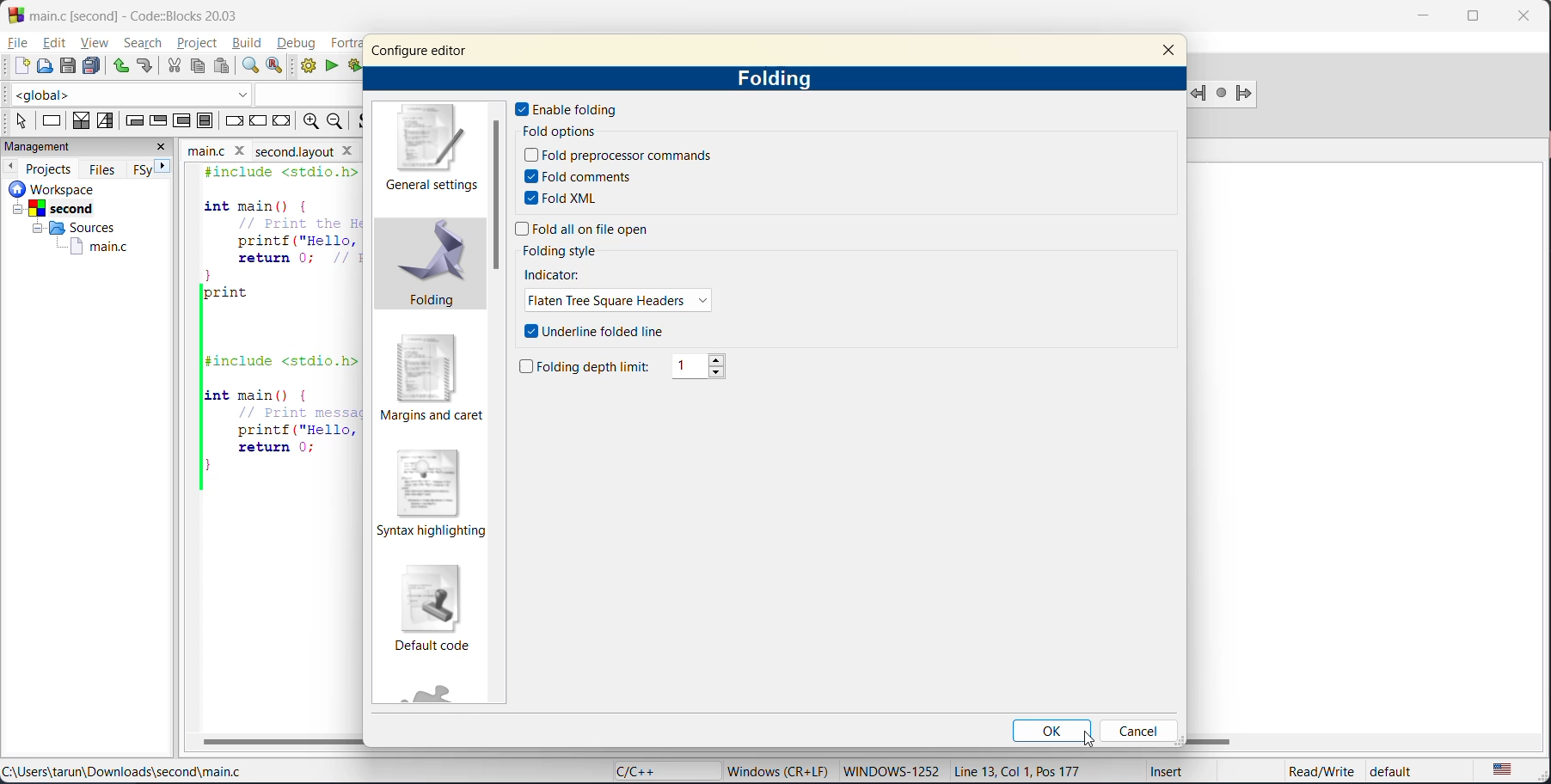 The image size is (1551, 784). I want to click on FSy, so click(144, 168).